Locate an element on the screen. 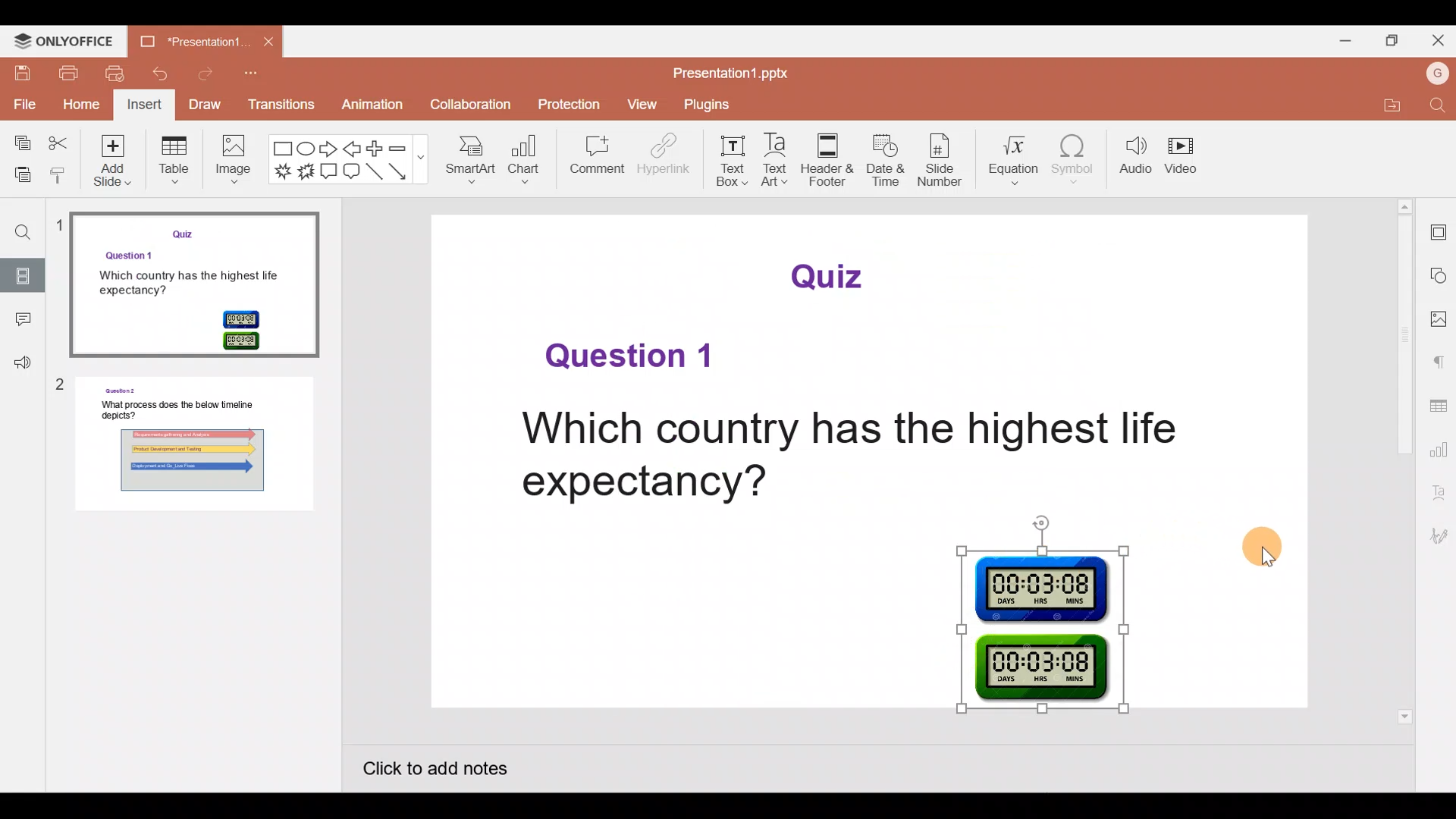 This screenshot has width=1456, height=819. Comment is located at coordinates (592, 158).